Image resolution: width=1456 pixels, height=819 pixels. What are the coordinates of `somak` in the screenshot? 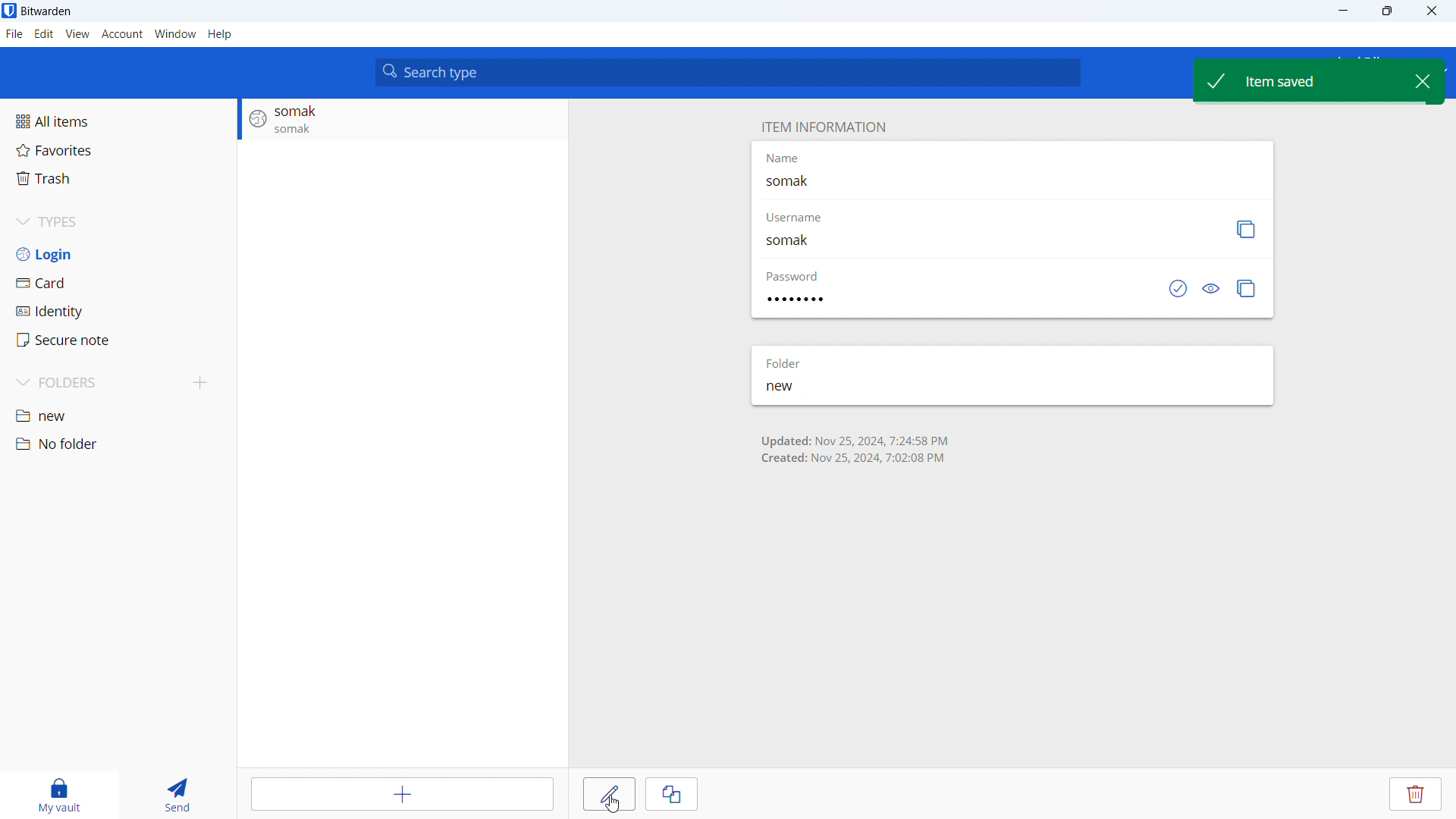 It's located at (807, 182).